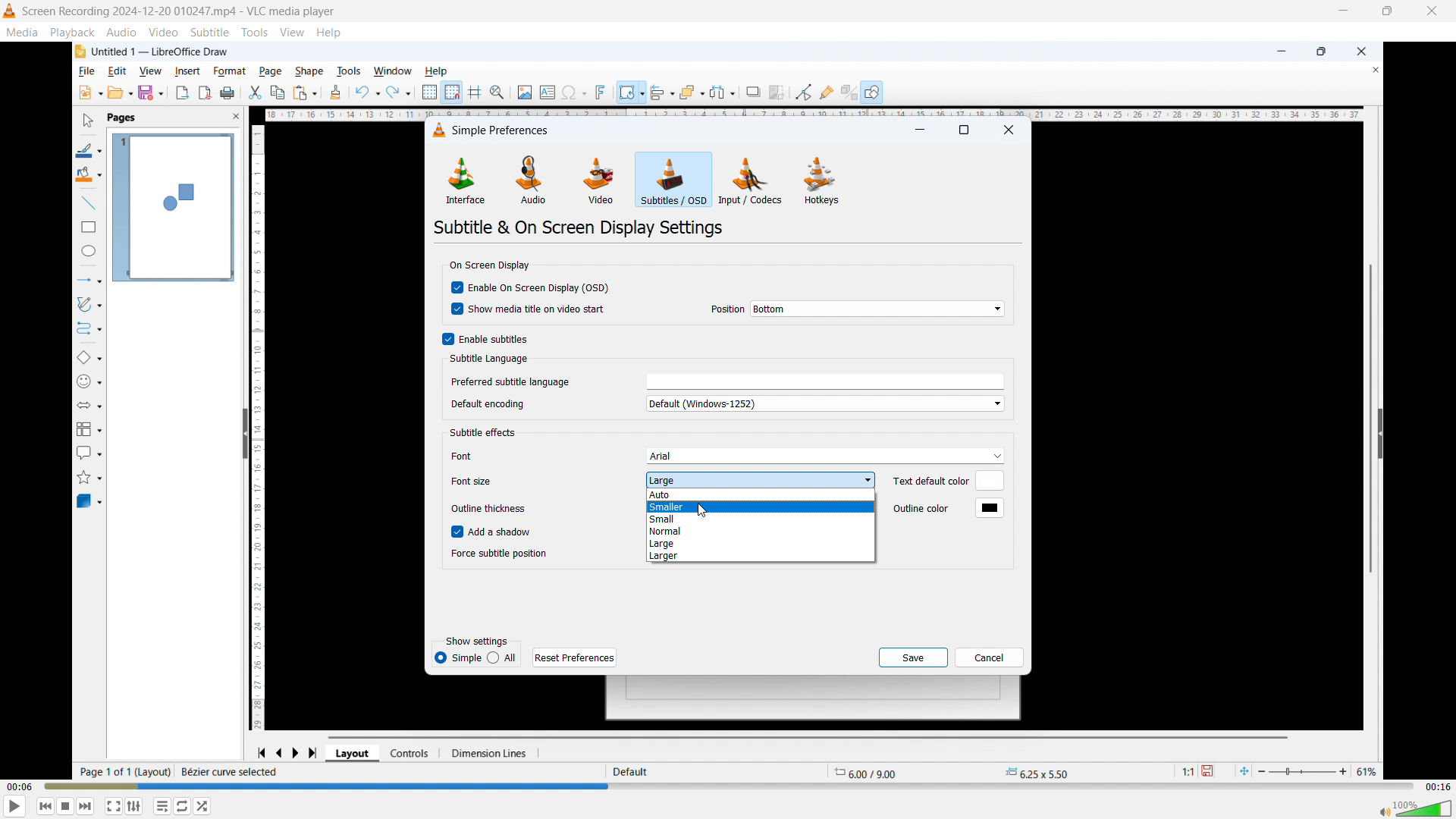 Image resolution: width=1456 pixels, height=819 pixels. I want to click on small , so click(760, 519).